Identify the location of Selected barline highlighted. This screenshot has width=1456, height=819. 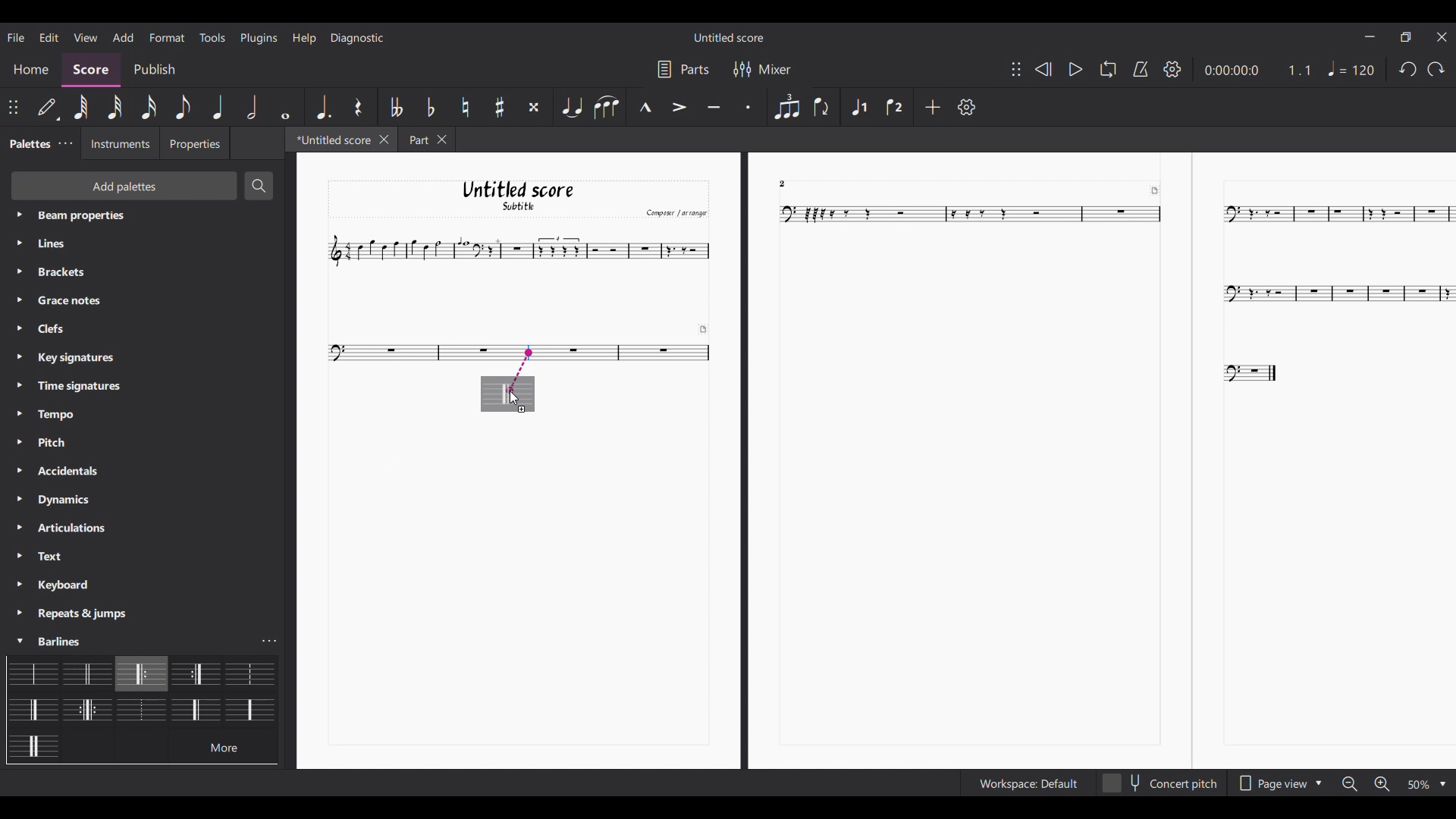
(141, 674).